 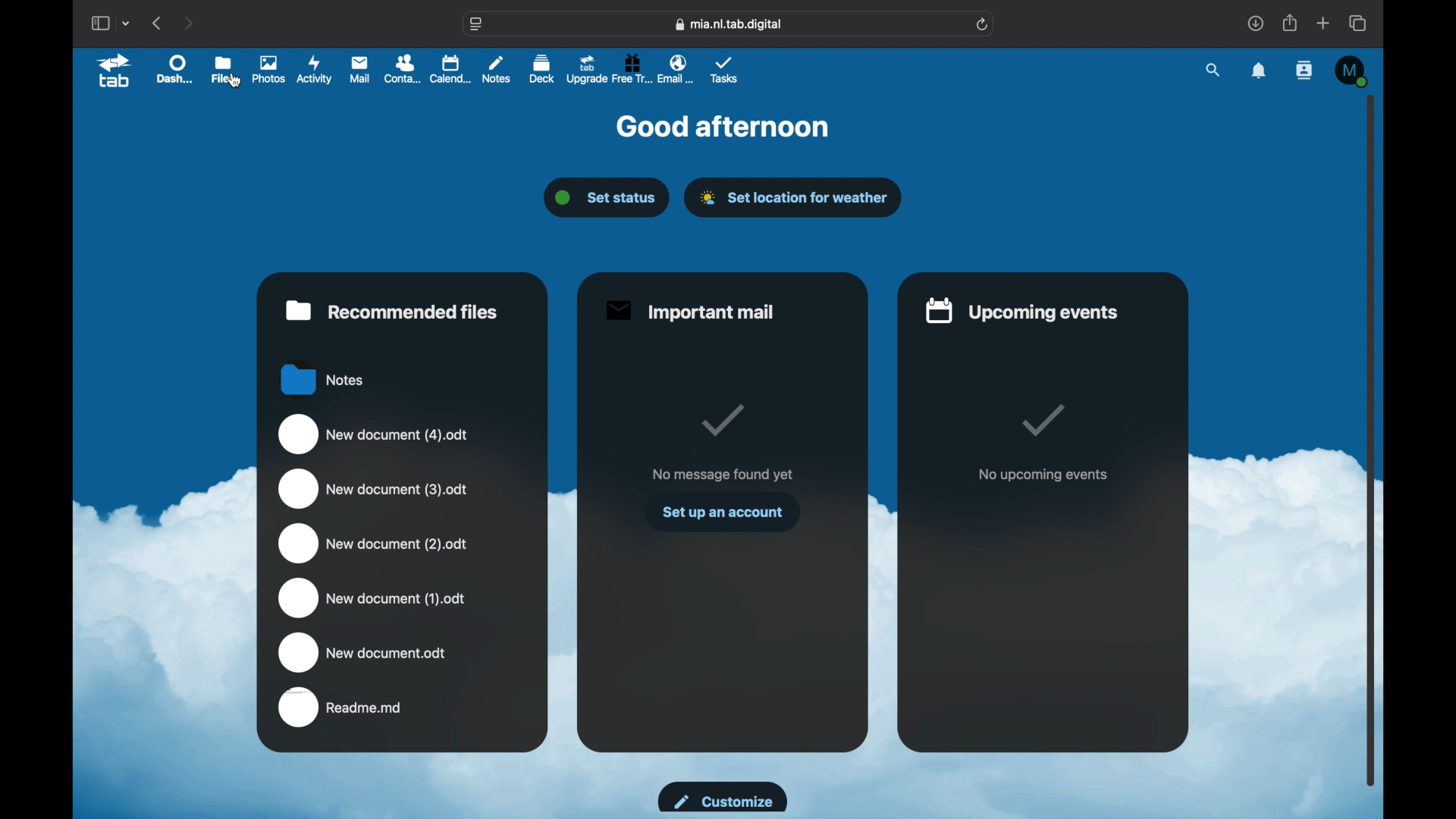 What do you see at coordinates (1214, 69) in the screenshot?
I see `search` at bounding box center [1214, 69].